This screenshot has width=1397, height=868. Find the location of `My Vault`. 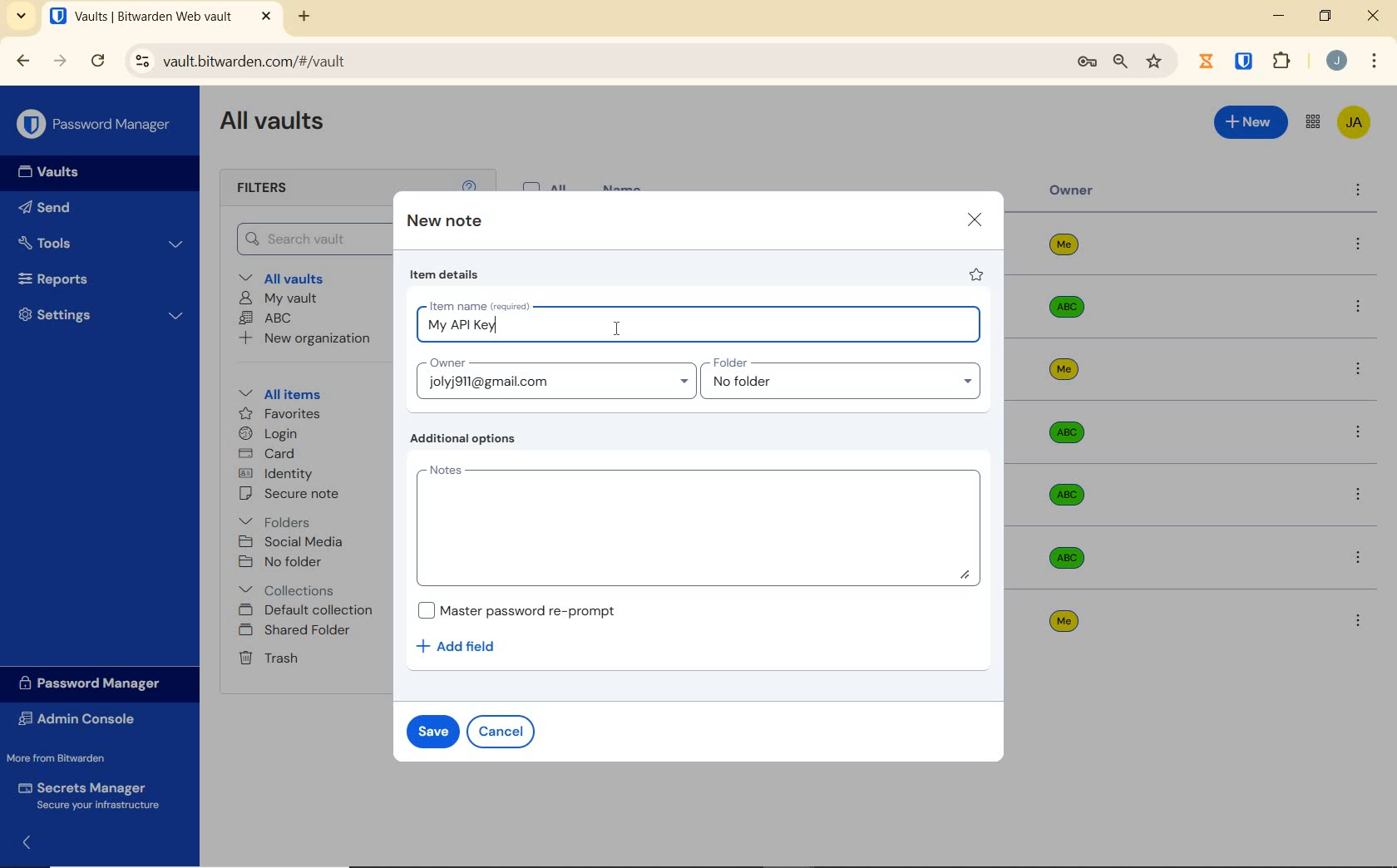

My Vault is located at coordinates (280, 298).